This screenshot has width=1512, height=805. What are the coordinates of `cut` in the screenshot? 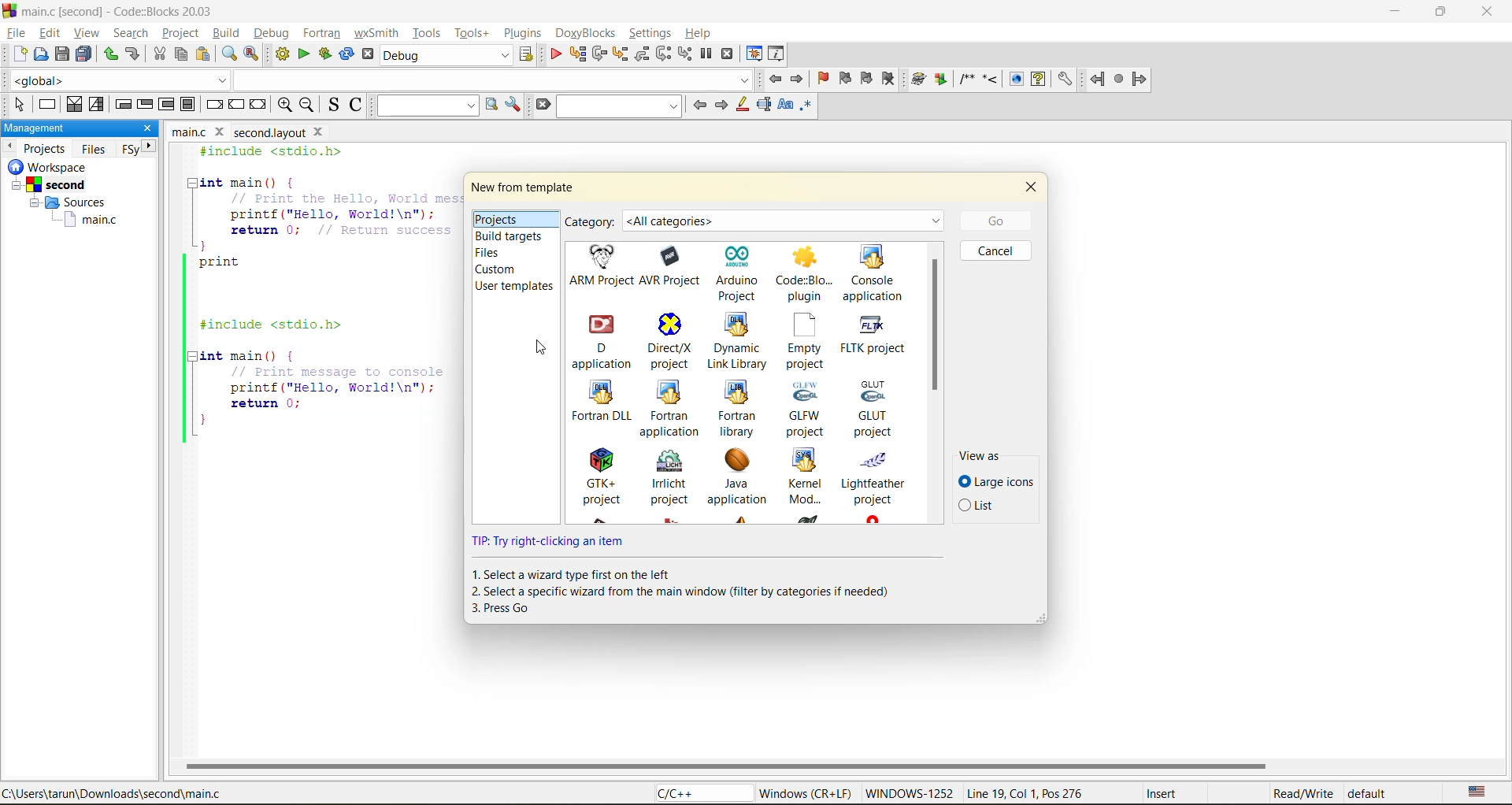 It's located at (158, 54).